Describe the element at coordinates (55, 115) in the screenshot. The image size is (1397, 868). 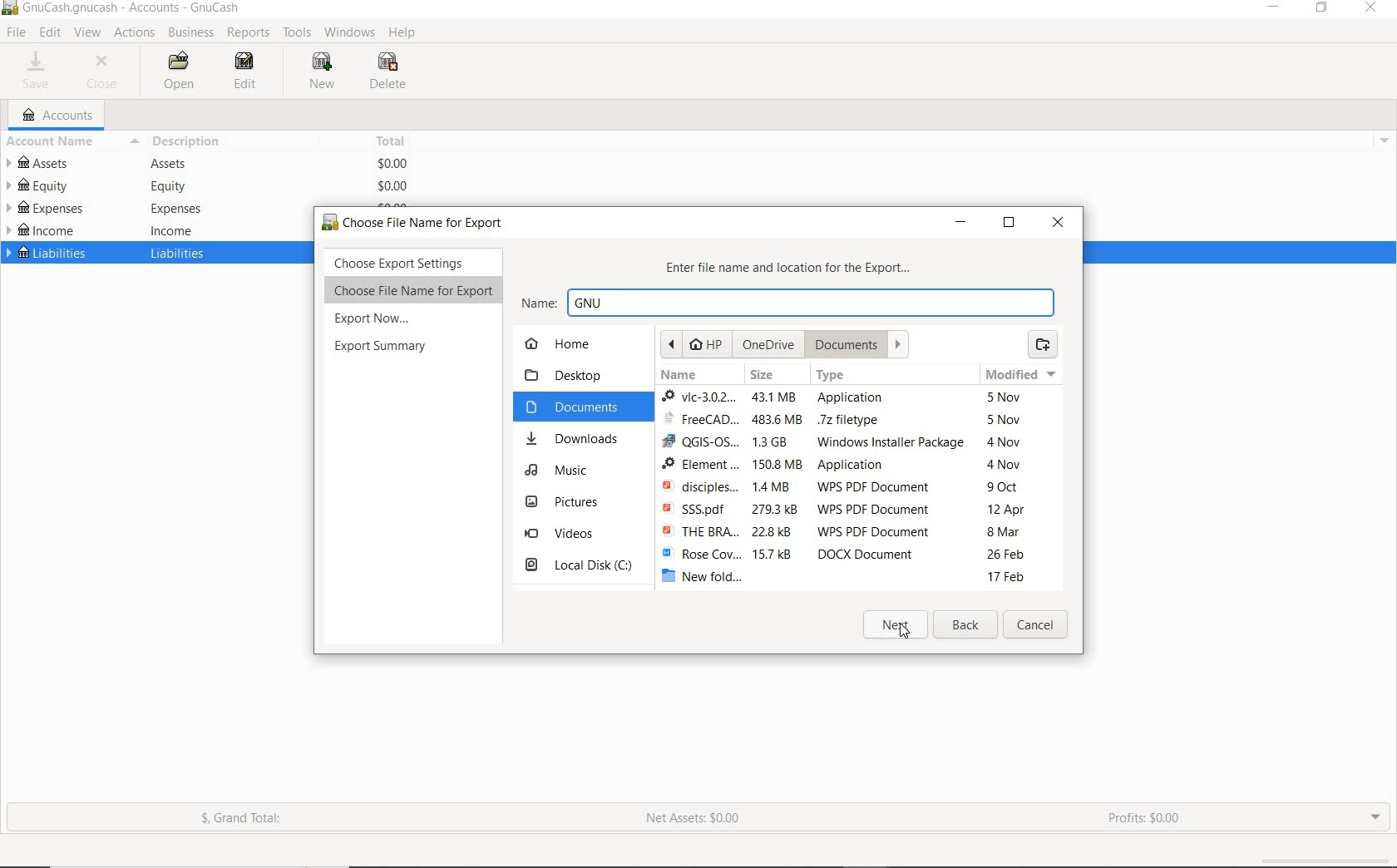
I see `ACCOUNTS` at that location.